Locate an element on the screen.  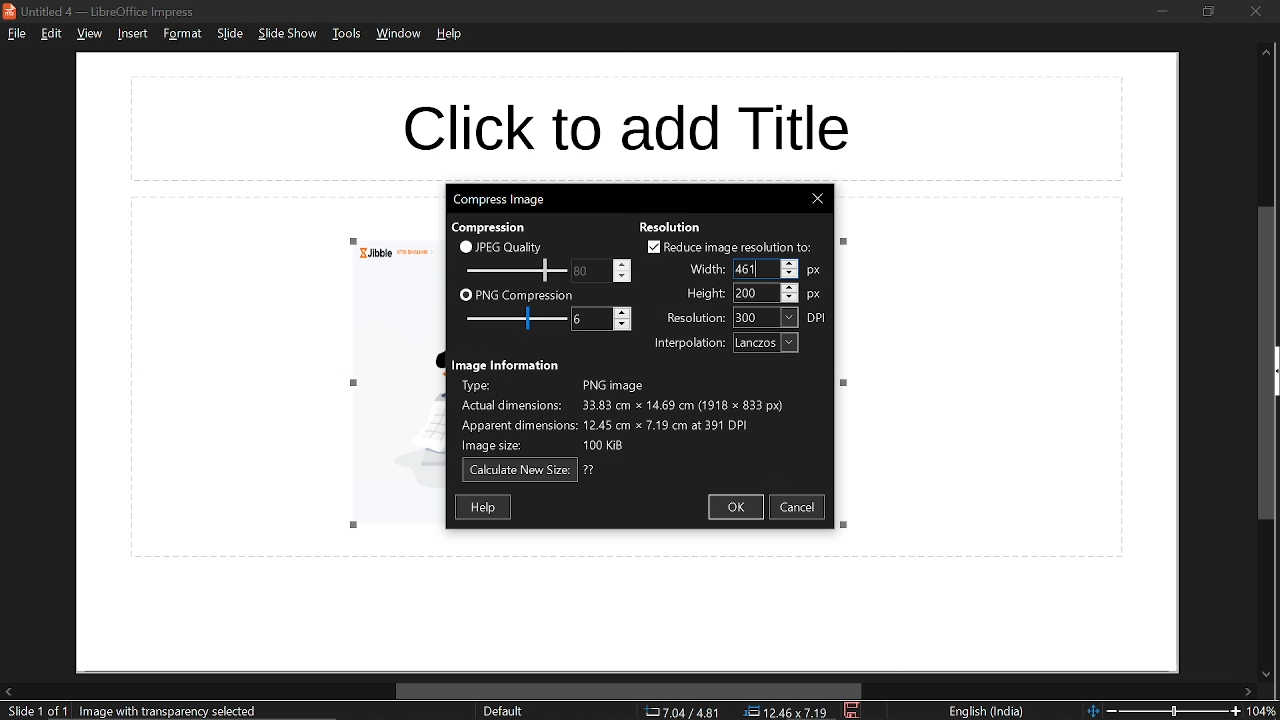
sheet style is located at coordinates (502, 712).